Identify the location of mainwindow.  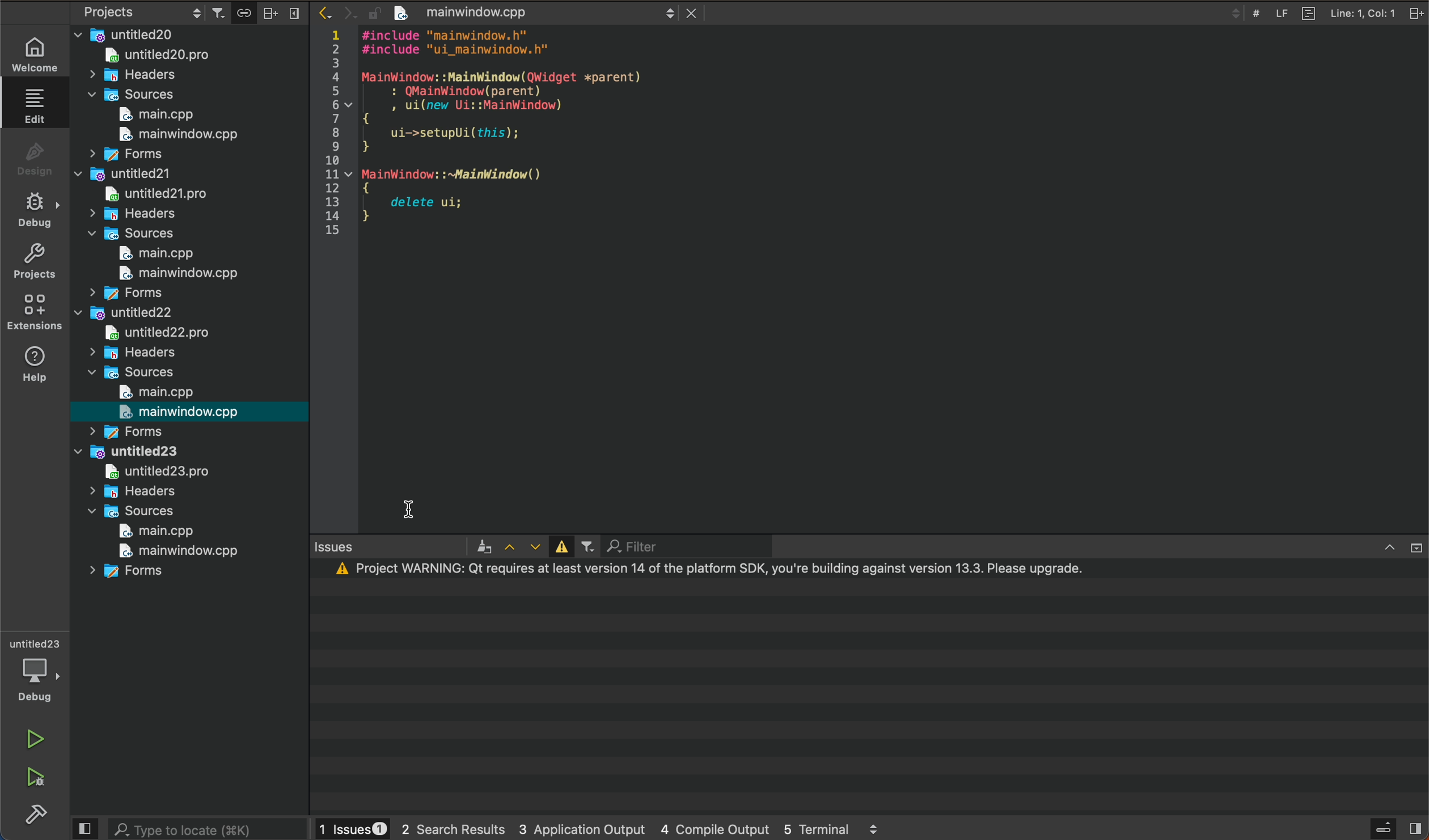
(170, 274).